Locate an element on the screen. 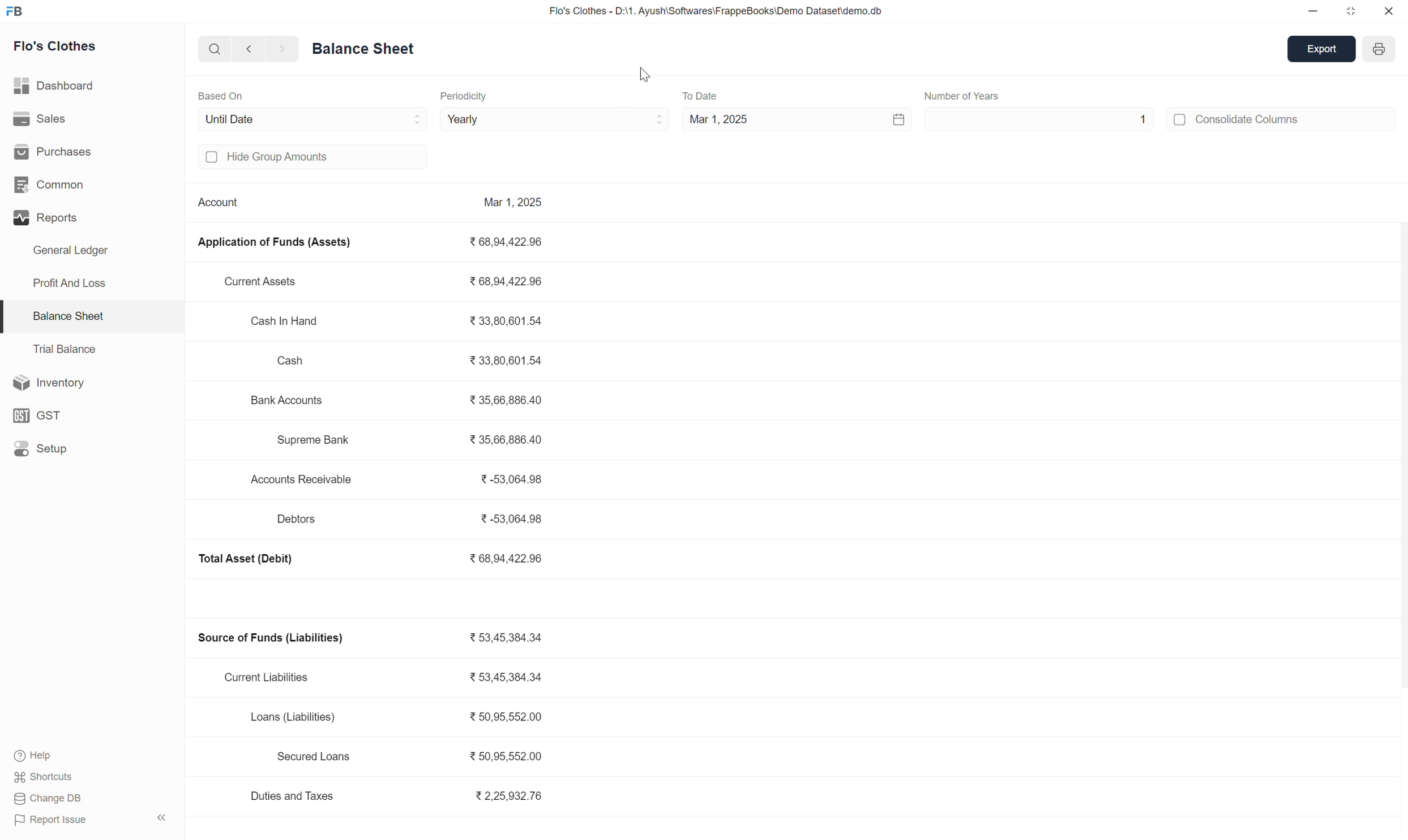 This screenshot has width=1408, height=840. Duties and Taxes is located at coordinates (293, 796).